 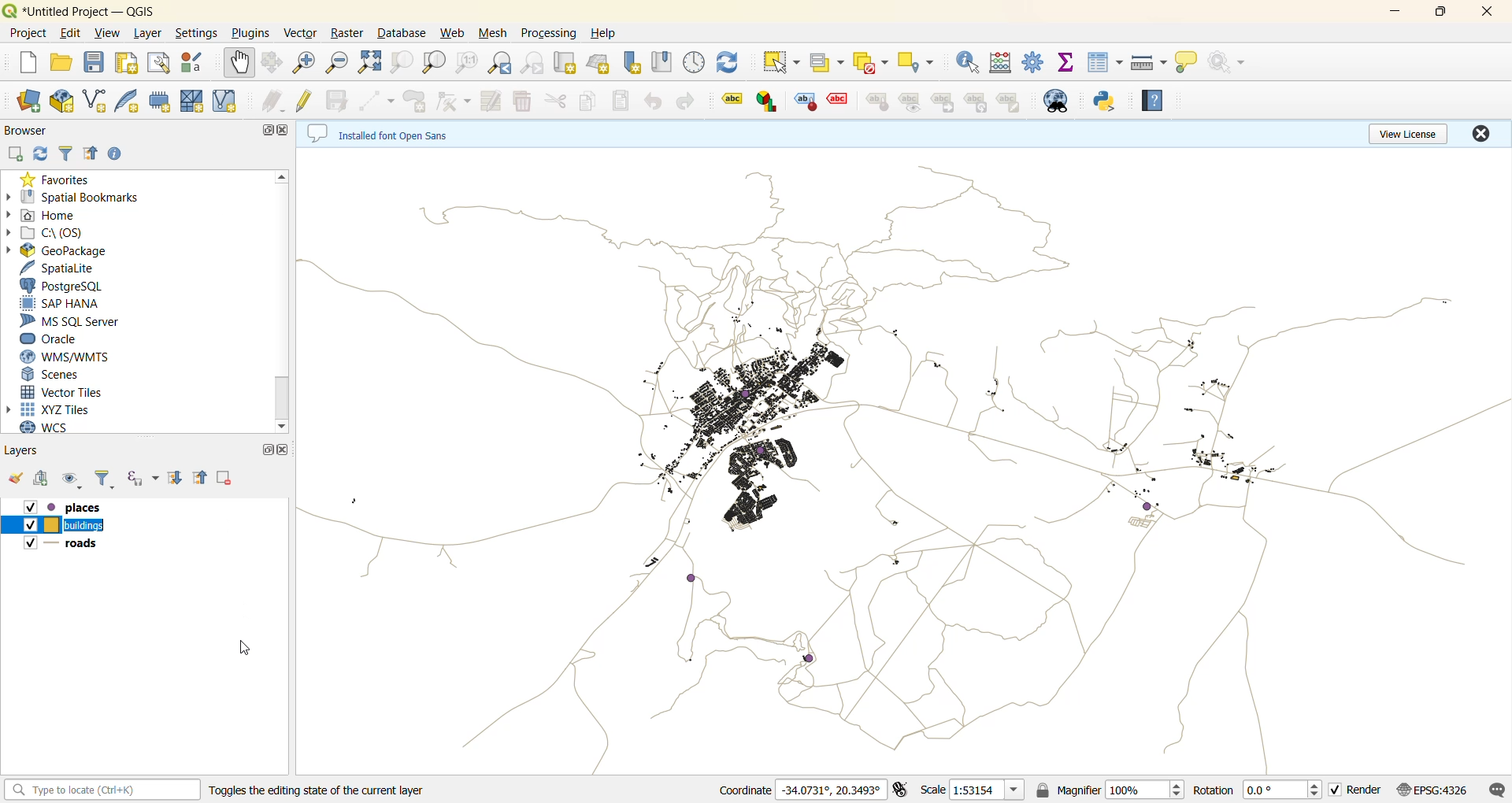 What do you see at coordinates (53, 235) in the screenshot?
I see `c\:os` at bounding box center [53, 235].